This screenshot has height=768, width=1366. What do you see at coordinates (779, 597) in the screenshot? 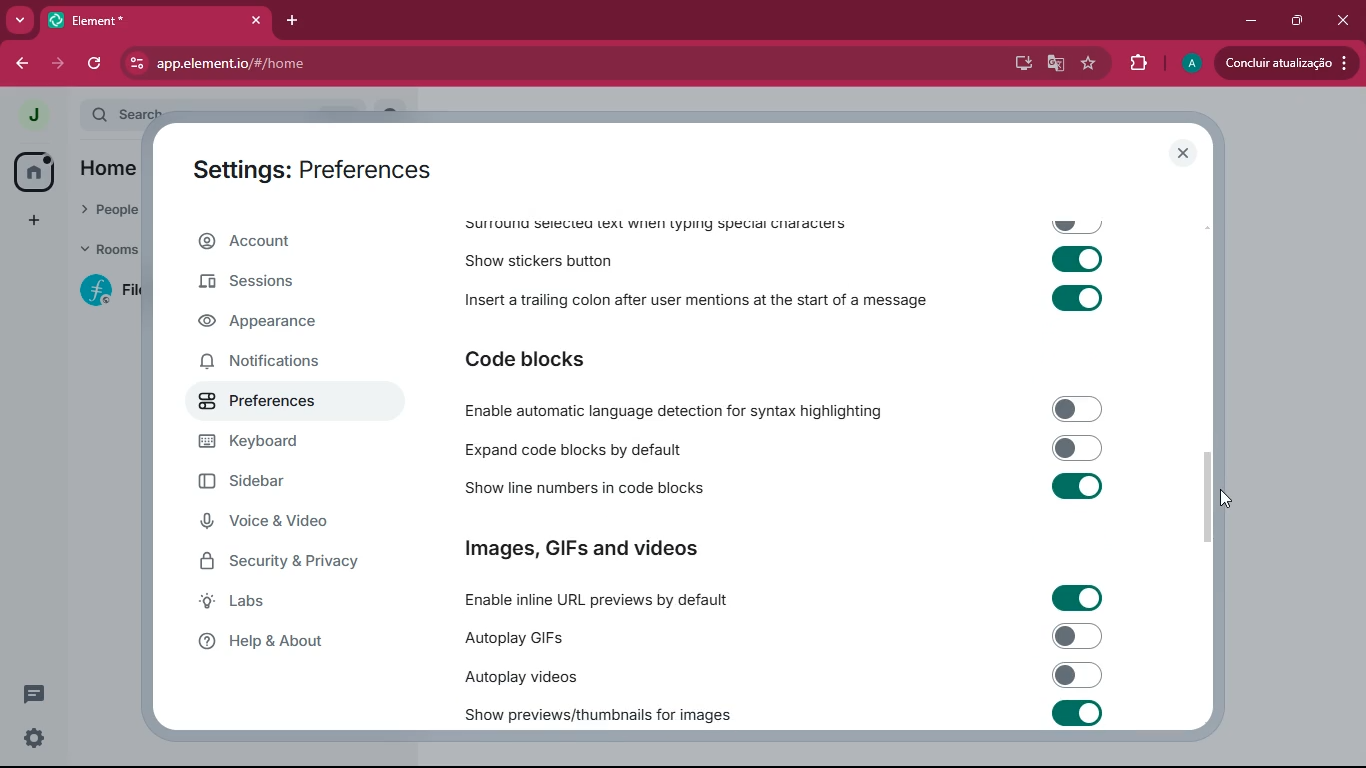
I see `Enable inline URL previews by default` at bounding box center [779, 597].